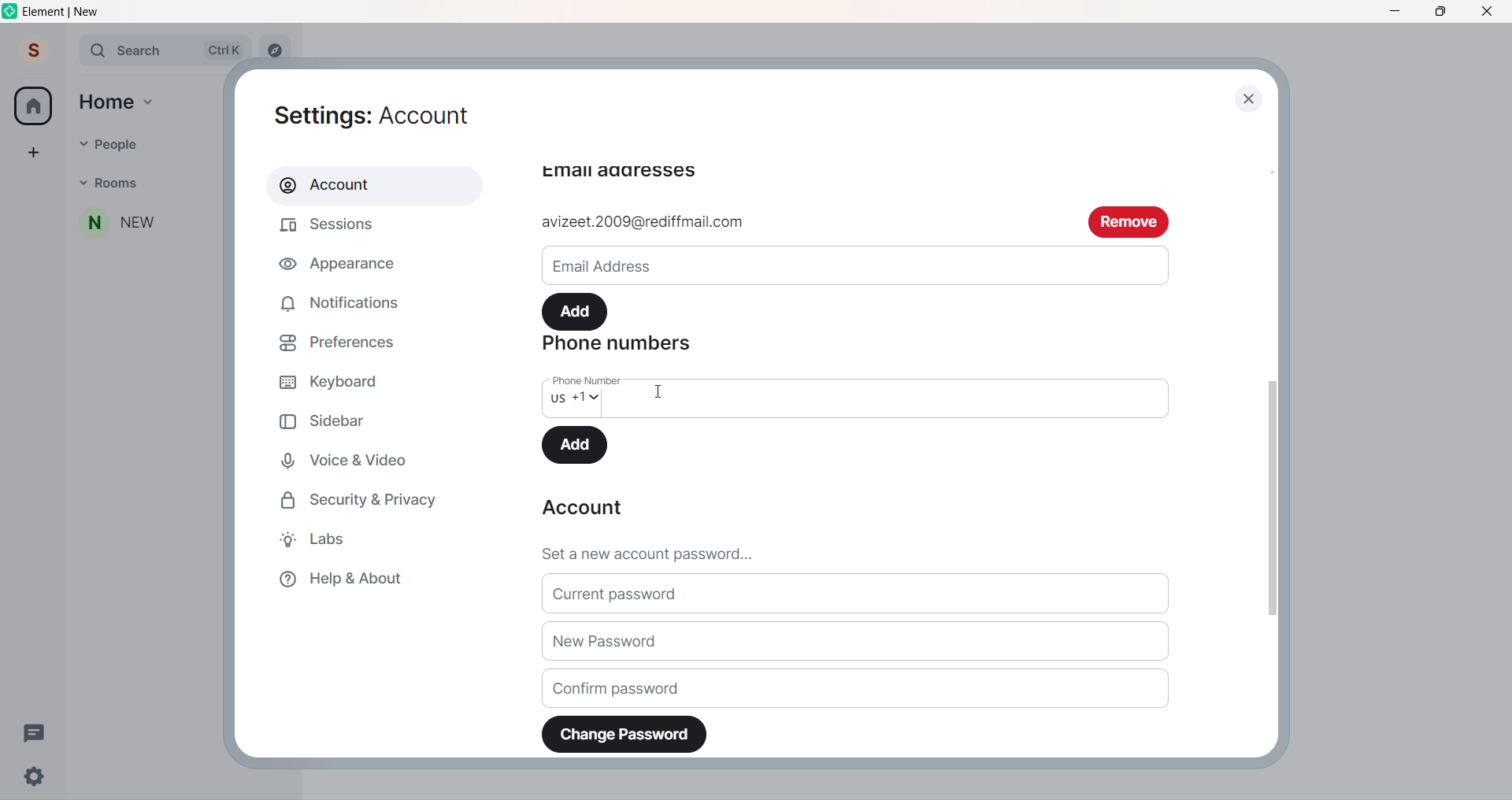 This screenshot has width=1512, height=800. Describe the element at coordinates (583, 379) in the screenshot. I see `phone number` at that location.